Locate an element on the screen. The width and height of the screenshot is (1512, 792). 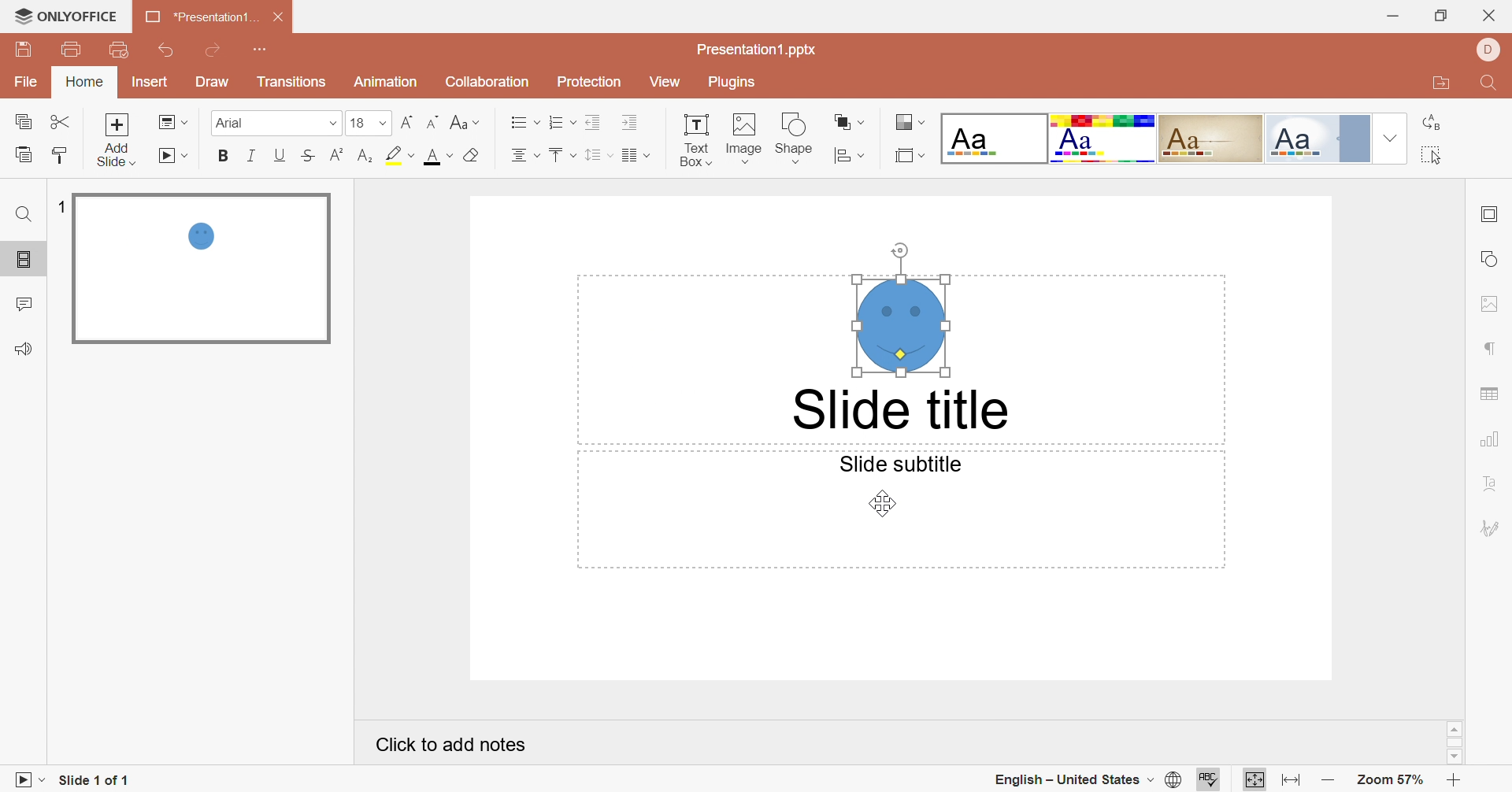
Text Box is located at coordinates (696, 138).